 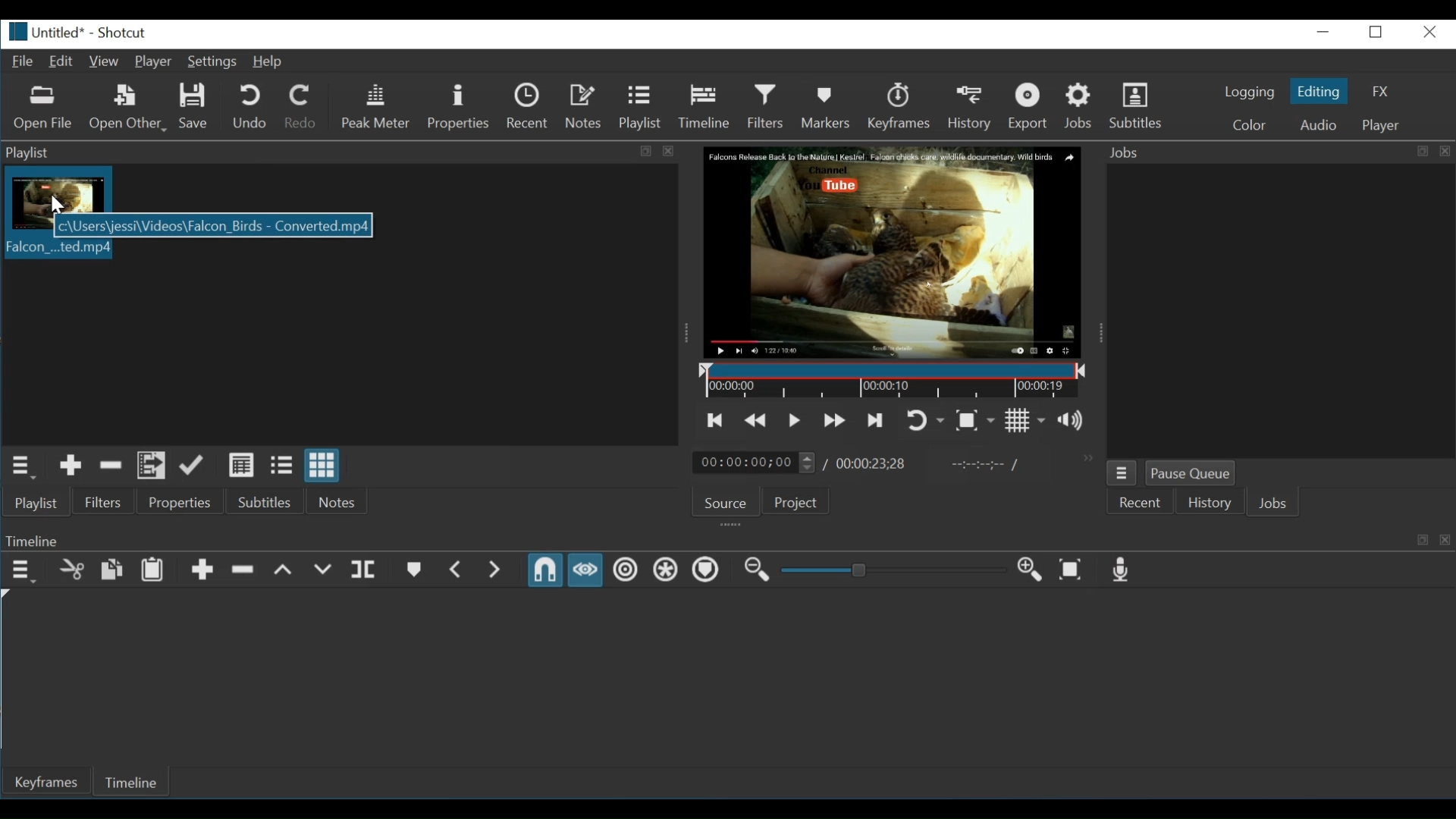 I want to click on Player, so click(x=1379, y=126).